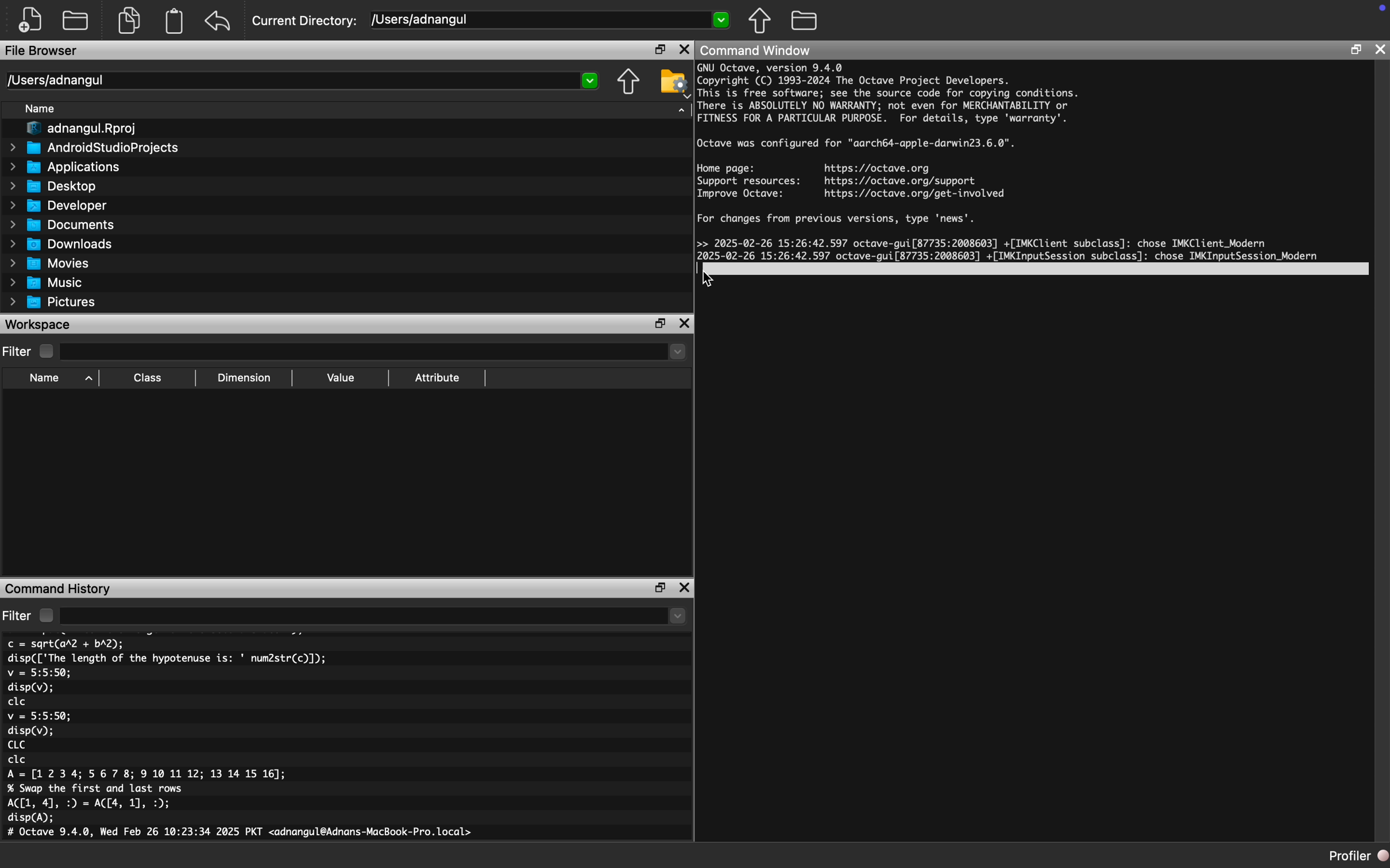  Describe the element at coordinates (47, 351) in the screenshot. I see `Checkbox` at that location.